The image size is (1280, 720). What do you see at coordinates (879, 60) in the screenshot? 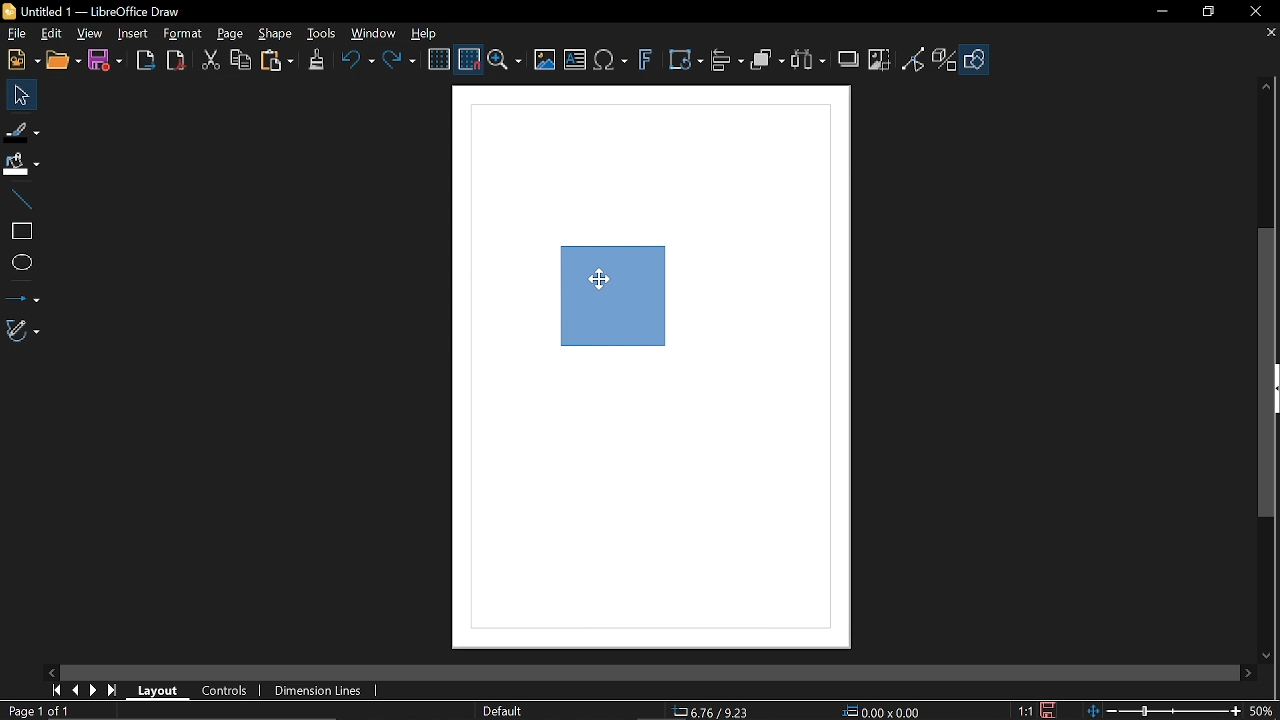
I see `Crop` at bounding box center [879, 60].